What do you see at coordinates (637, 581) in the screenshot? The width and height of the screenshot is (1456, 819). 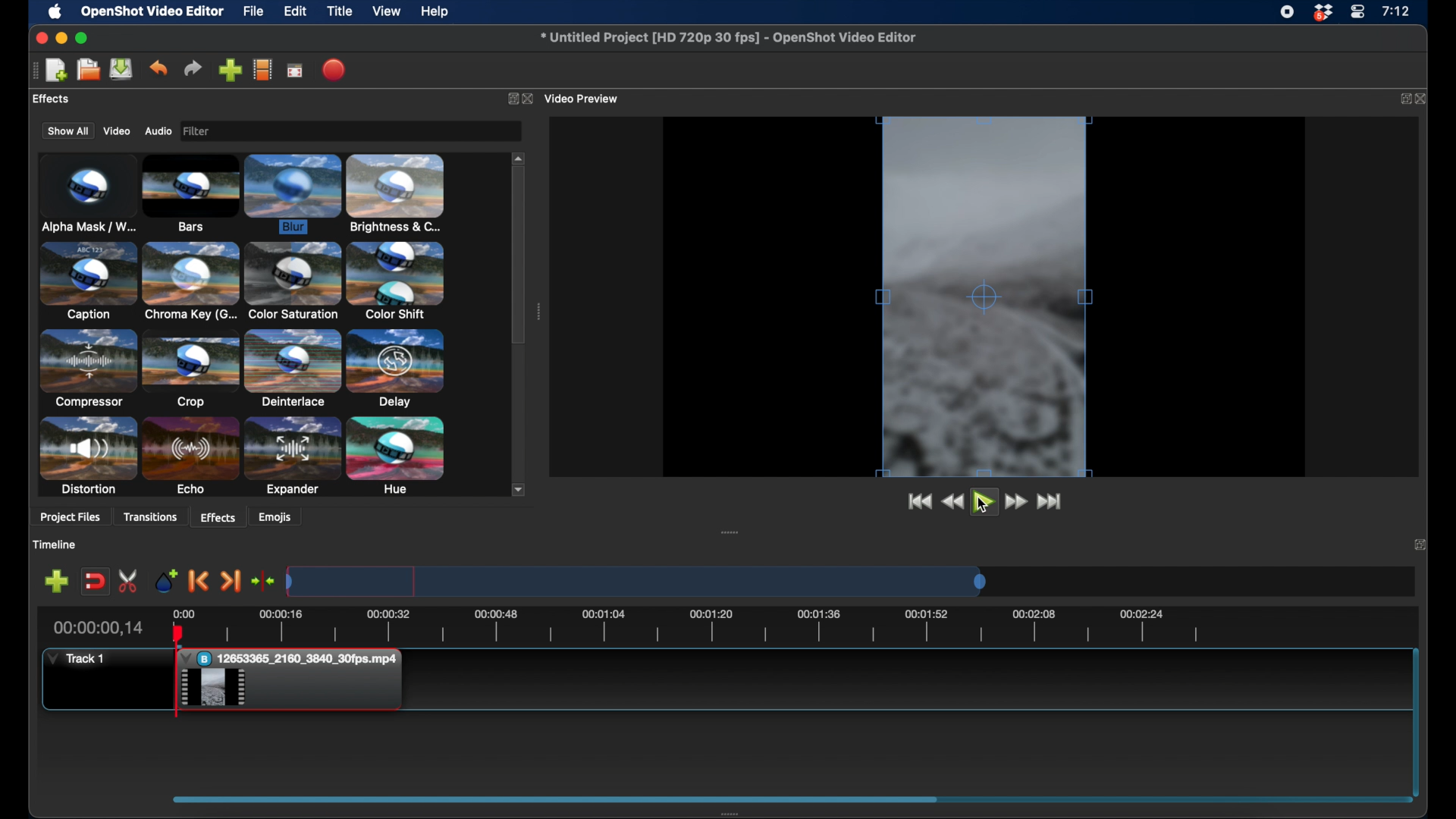 I see `timeline scale` at bounding box center [637, 581].